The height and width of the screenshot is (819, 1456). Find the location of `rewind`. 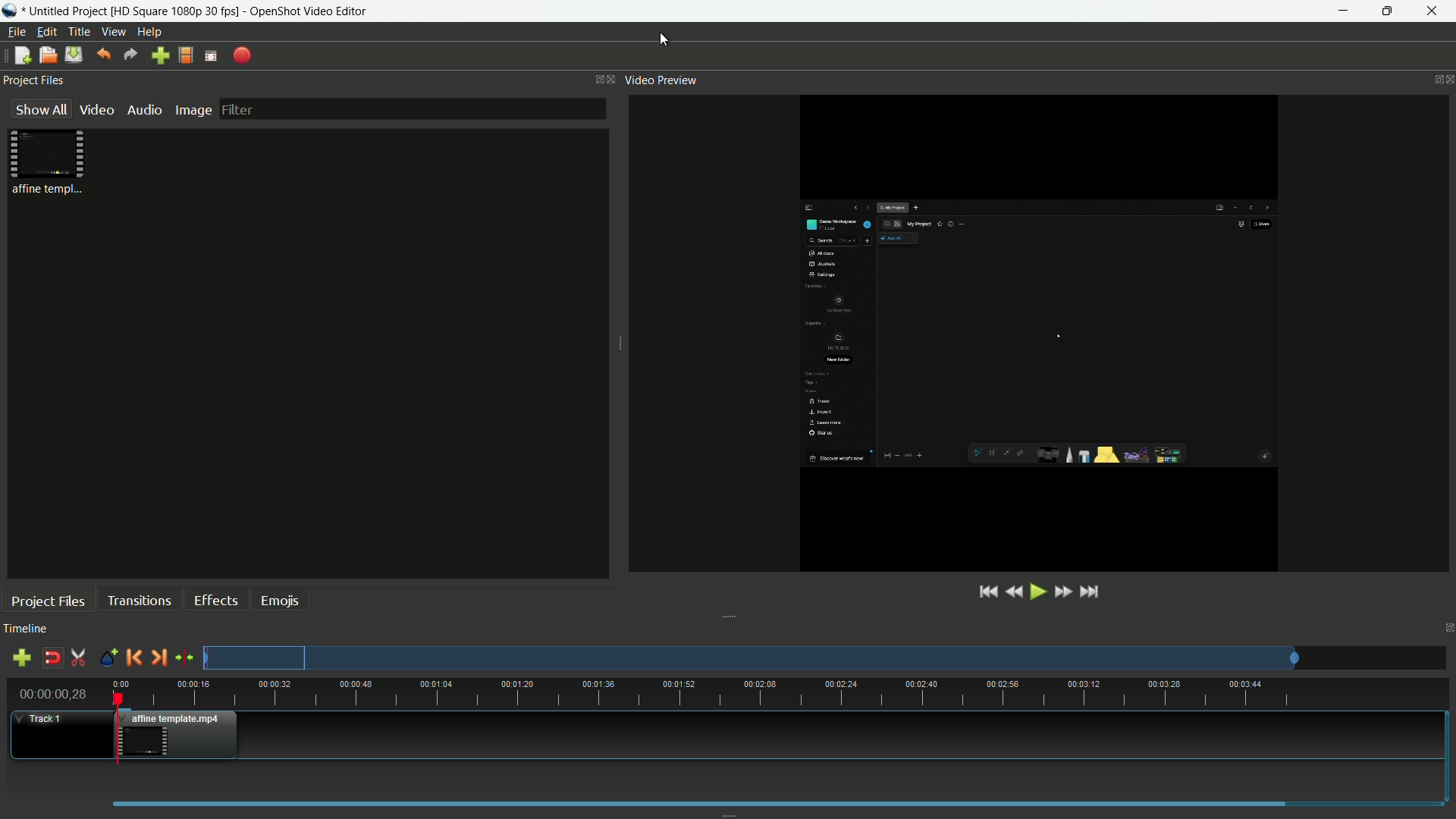

rewind is located at coordinates (1014, 593).